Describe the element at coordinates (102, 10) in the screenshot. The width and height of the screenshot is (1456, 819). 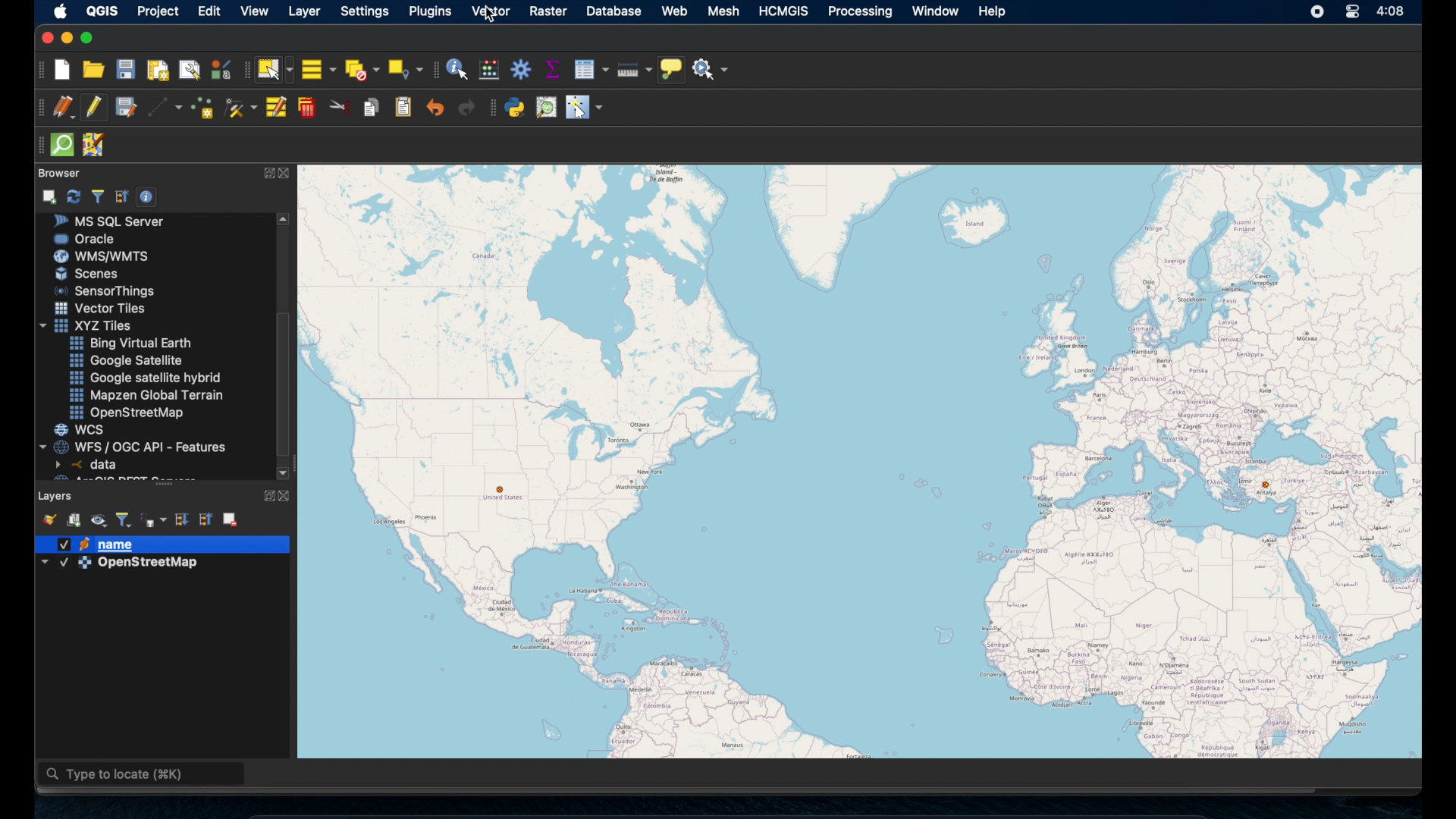
I see `QGIS` at that location.